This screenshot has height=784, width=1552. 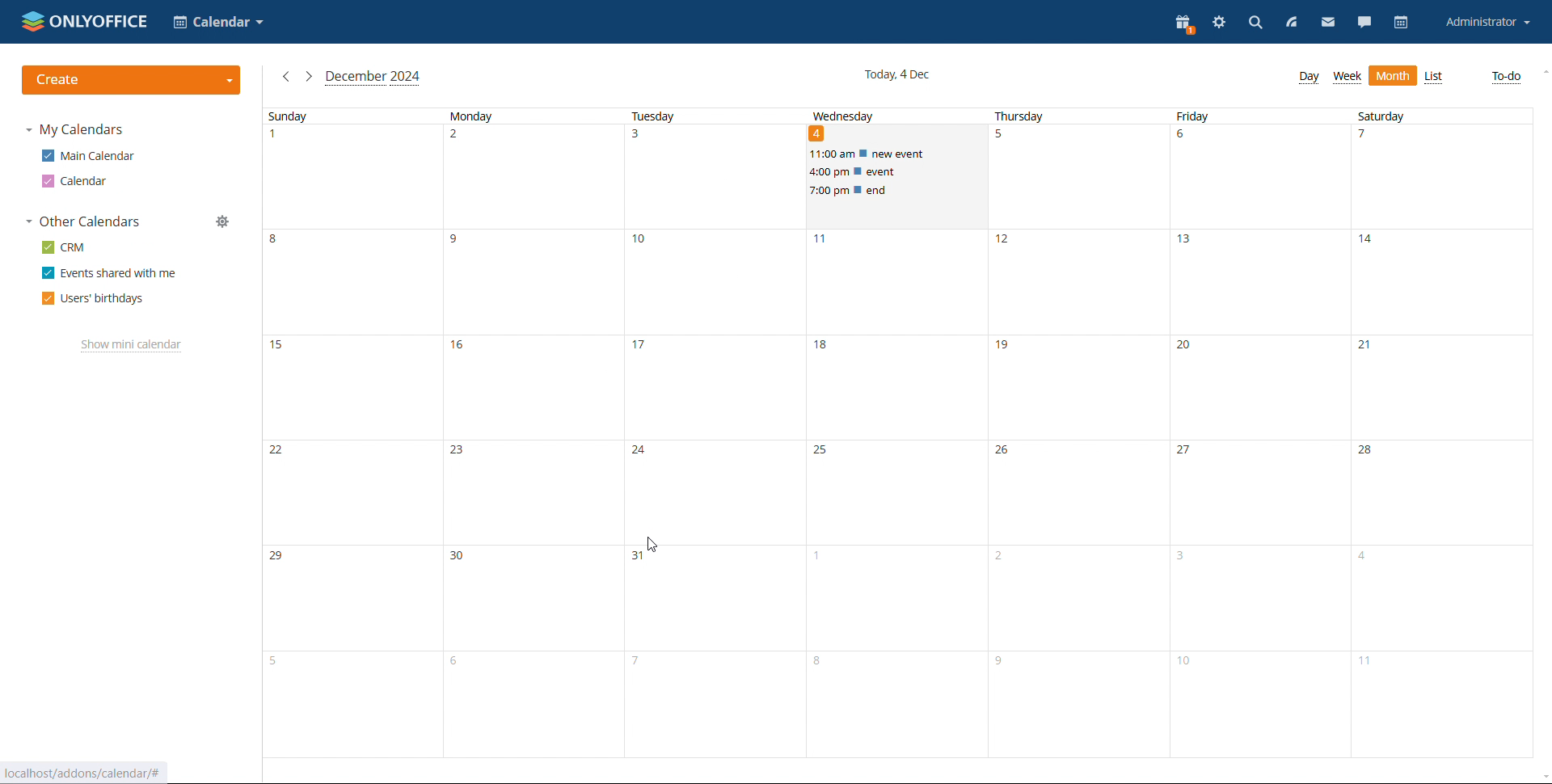 What do you see at coordinates (1255, 23) in the screenshot?
I see `search` at bounding box center [1255, 23].